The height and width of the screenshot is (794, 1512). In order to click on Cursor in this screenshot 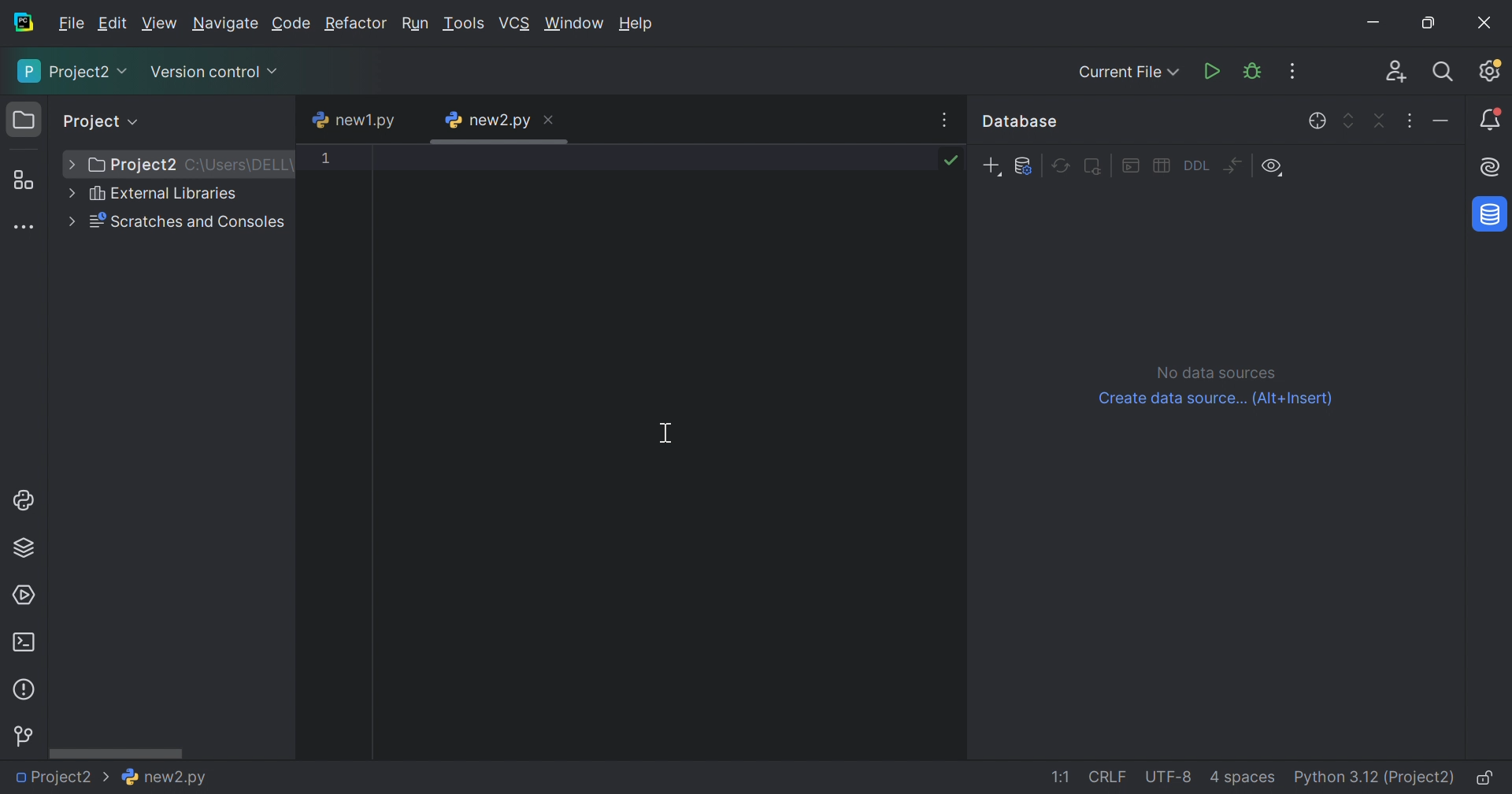, I will do `click(665, 431)`.